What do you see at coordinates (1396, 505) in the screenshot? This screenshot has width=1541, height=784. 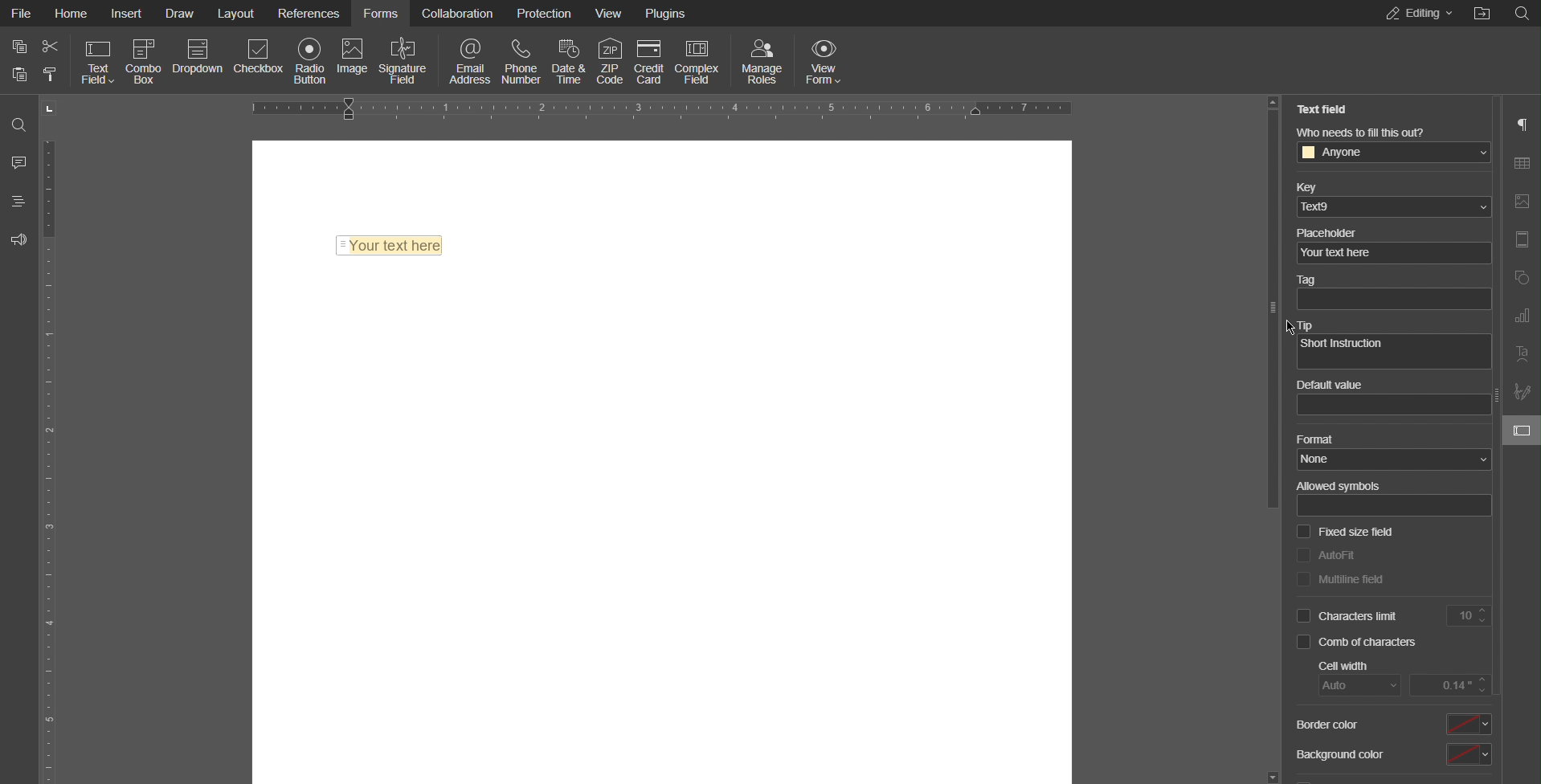 I see `allowed sybols` at bounding box center [1396, 505].